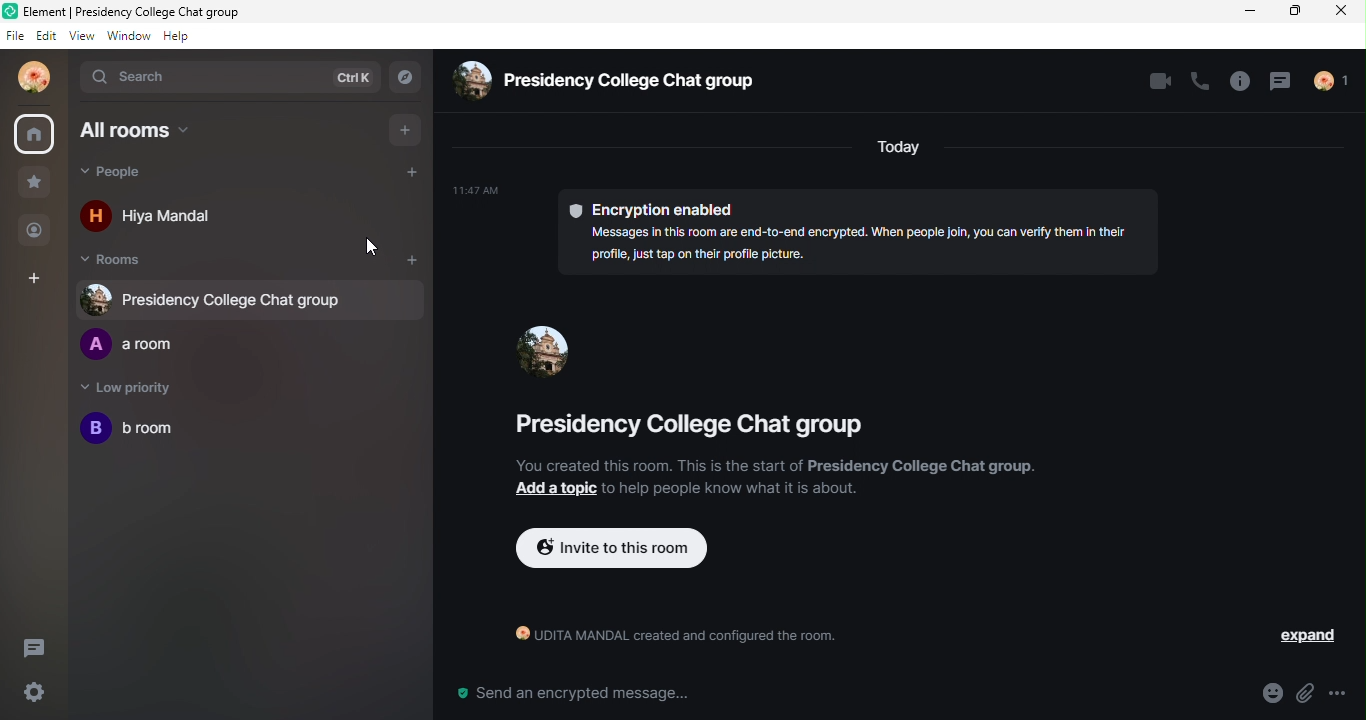  I want to click on search, so click(143, 77).